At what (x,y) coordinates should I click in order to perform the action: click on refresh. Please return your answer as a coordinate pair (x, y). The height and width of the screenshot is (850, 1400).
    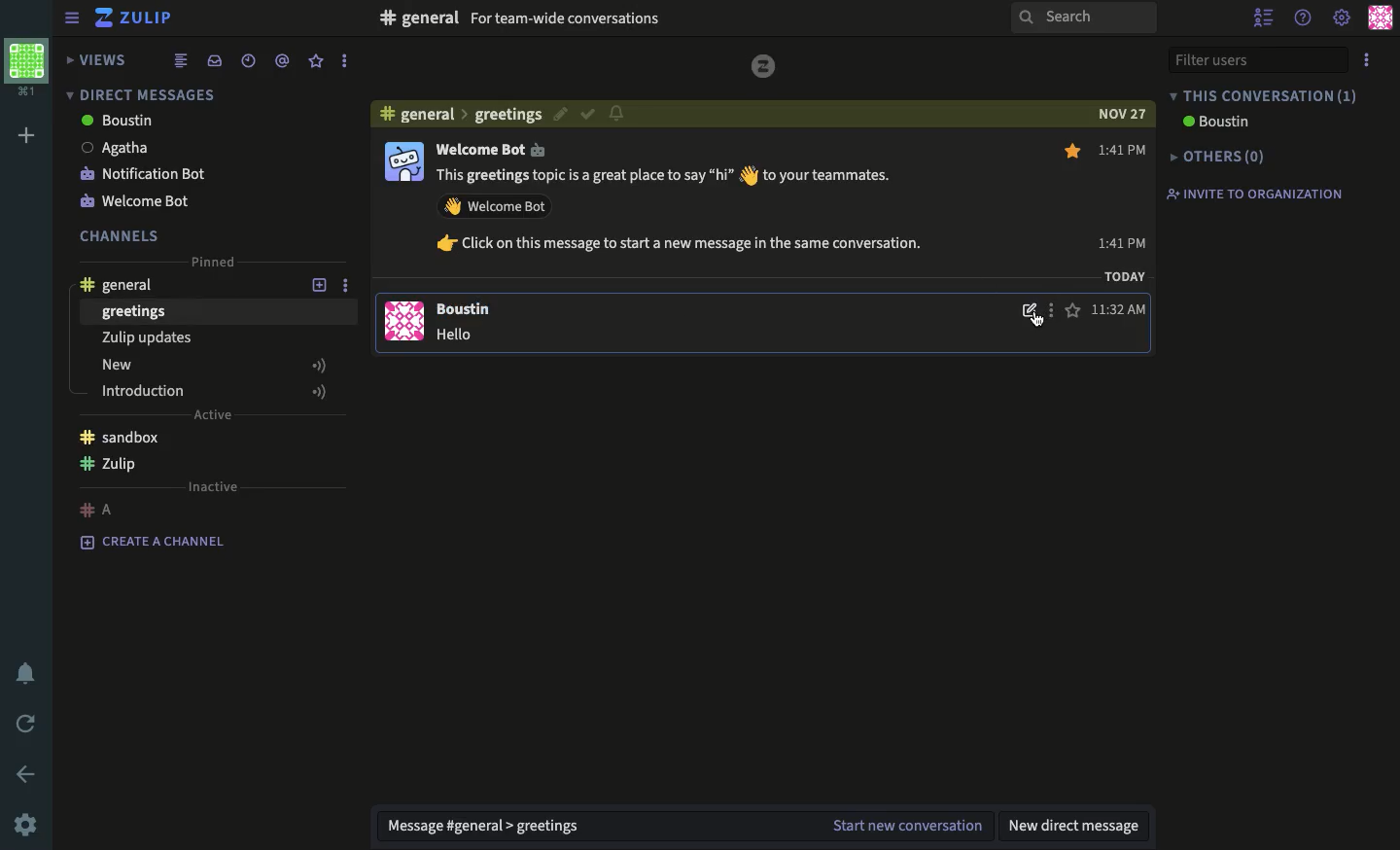
    Looking at the image, I should click on (23, 722).